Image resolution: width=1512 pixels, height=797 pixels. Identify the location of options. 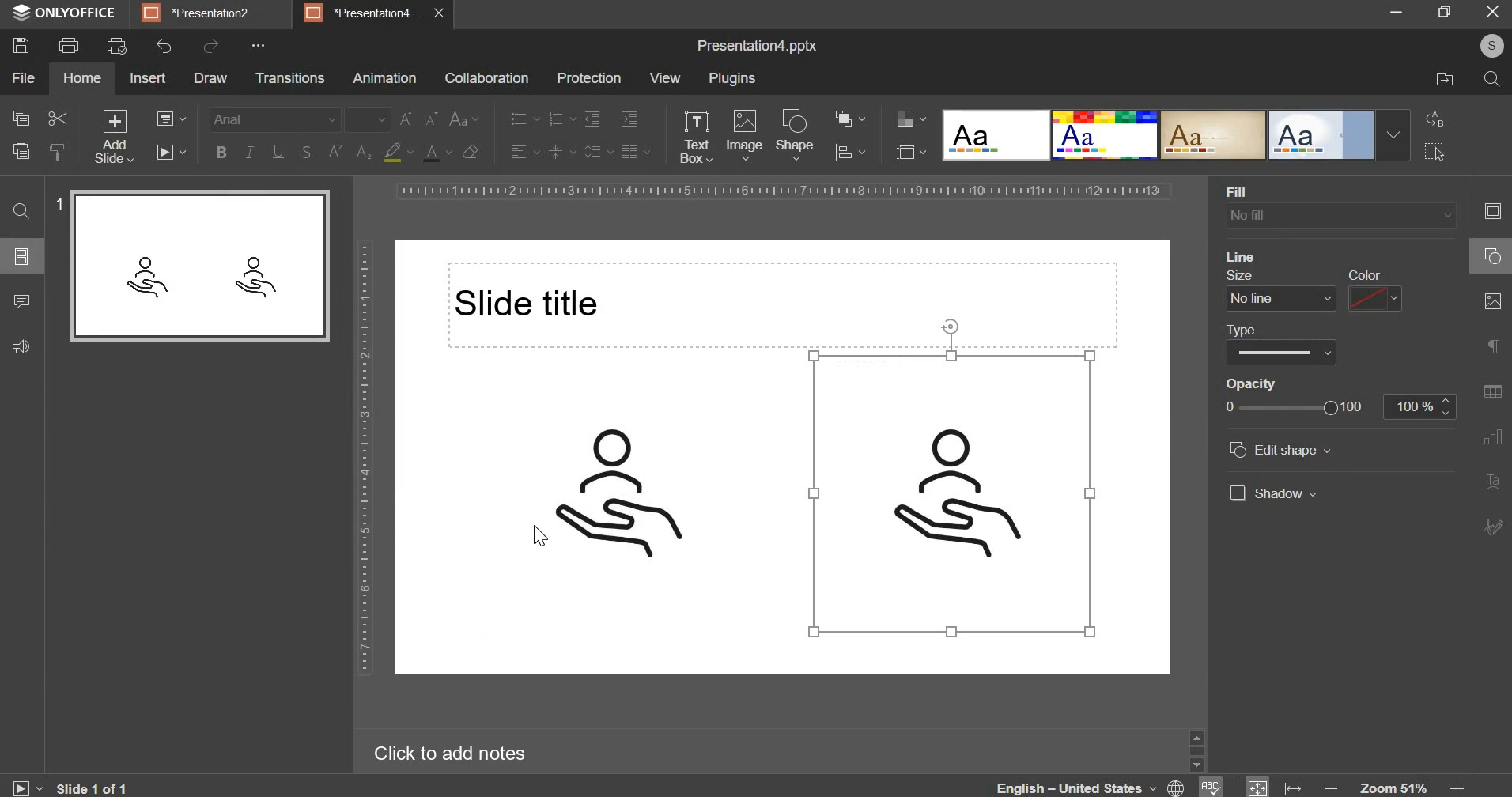
(263, 45).